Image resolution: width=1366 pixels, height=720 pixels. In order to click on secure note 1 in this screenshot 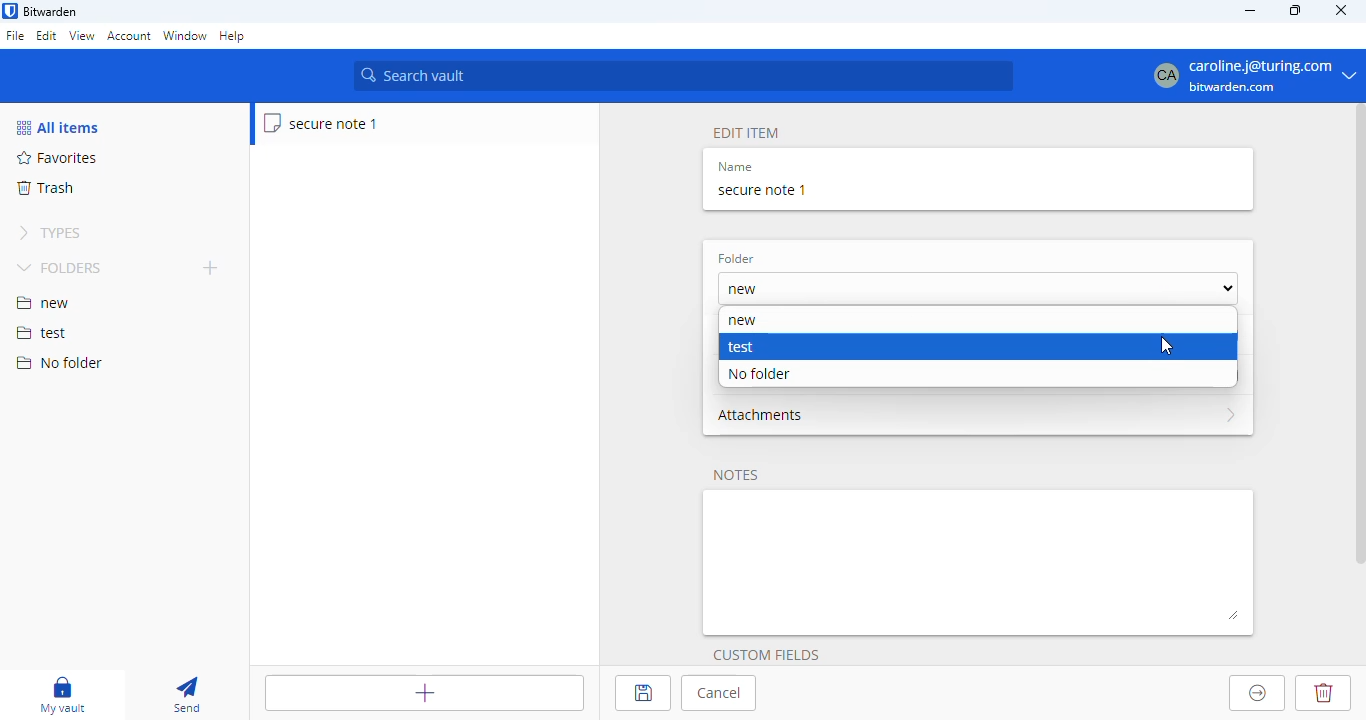, I will do `click(322, 123)`.